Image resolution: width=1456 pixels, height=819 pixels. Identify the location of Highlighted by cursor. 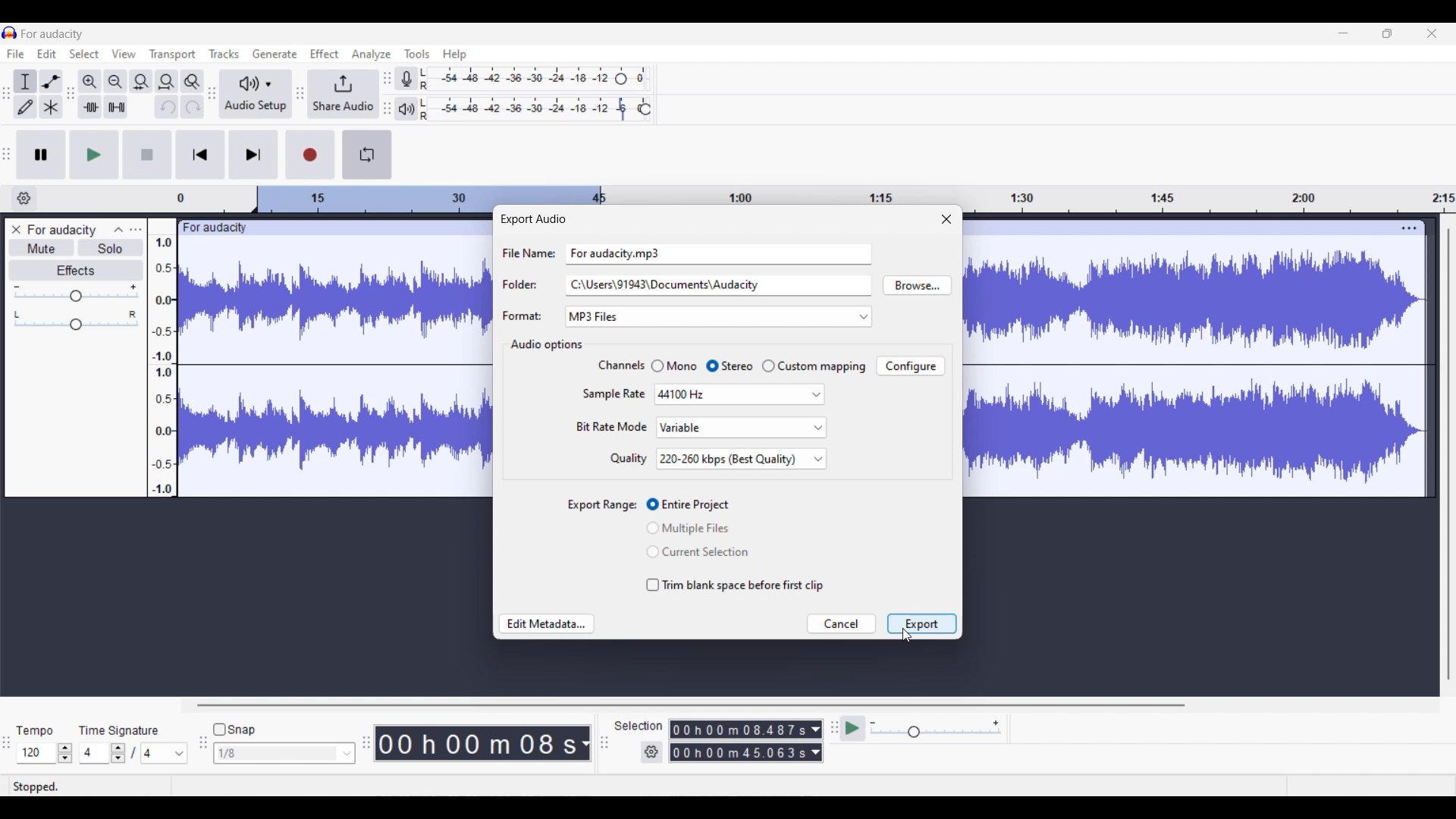
(923, 623).